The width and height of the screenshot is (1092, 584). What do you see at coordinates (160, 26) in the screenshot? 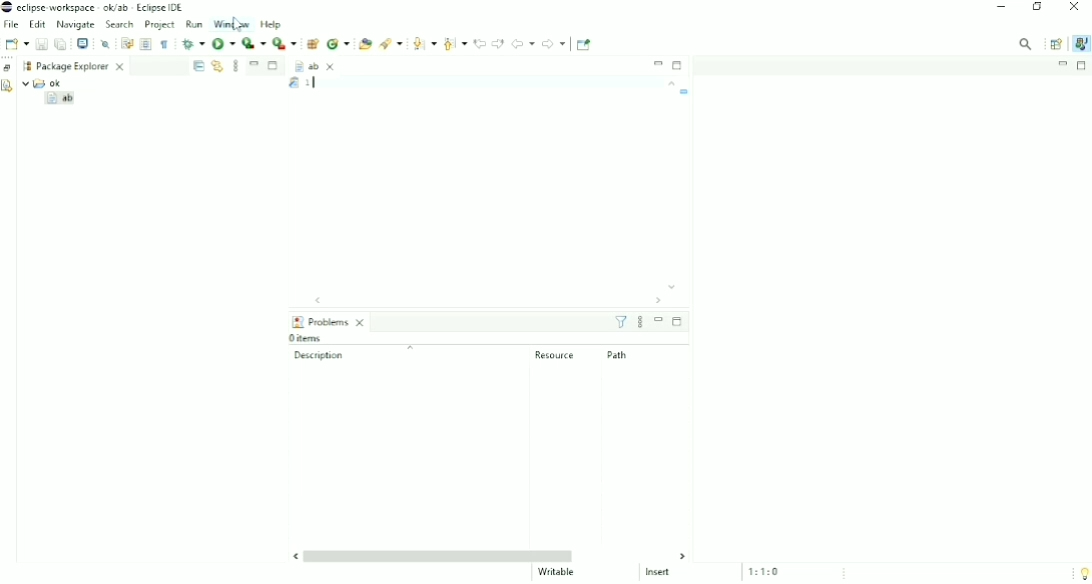
I see `Project` at bounding box center [160, 26].